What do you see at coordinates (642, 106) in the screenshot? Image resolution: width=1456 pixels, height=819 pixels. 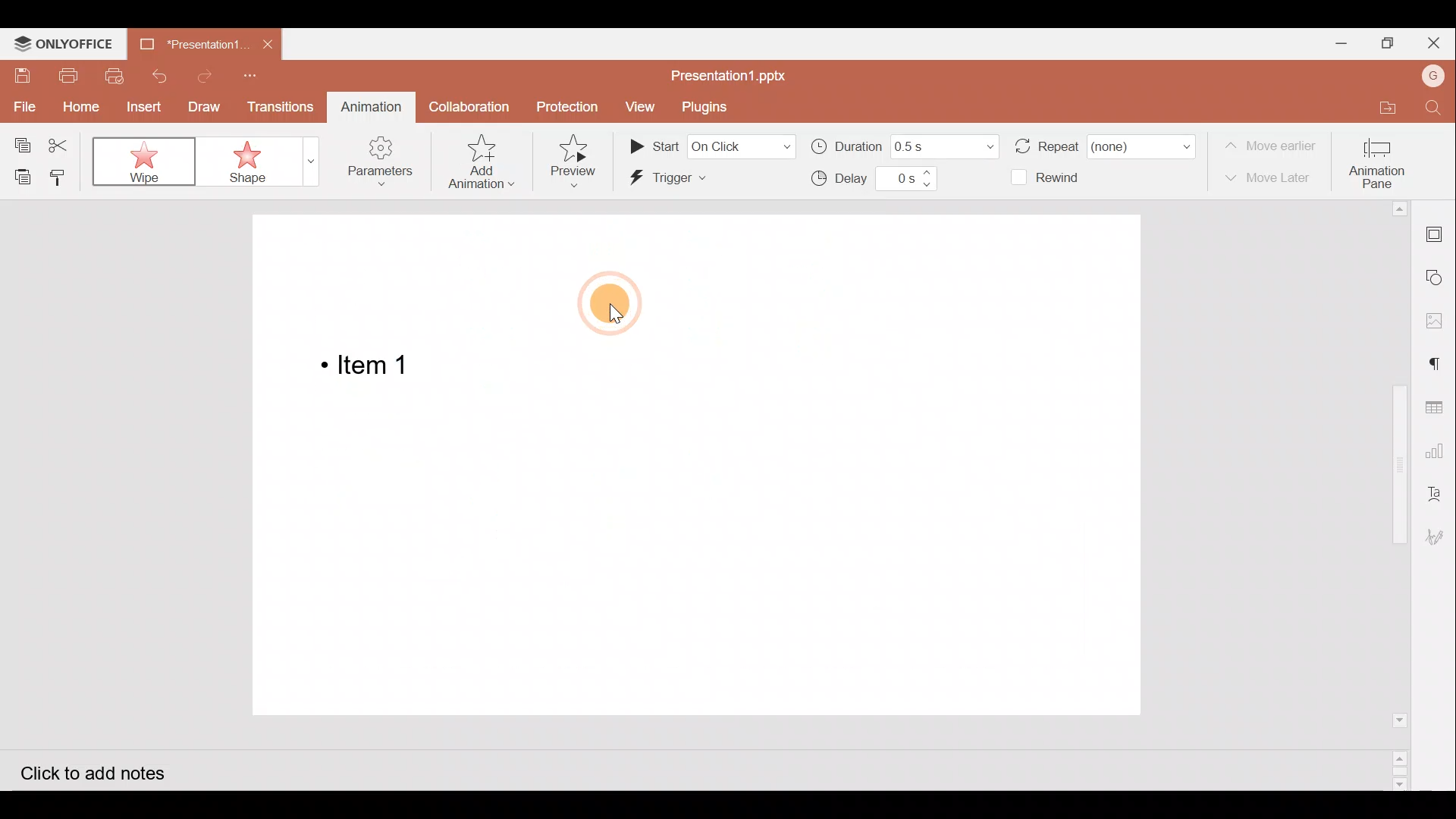 I see `View` at bounding box center [642, 106].